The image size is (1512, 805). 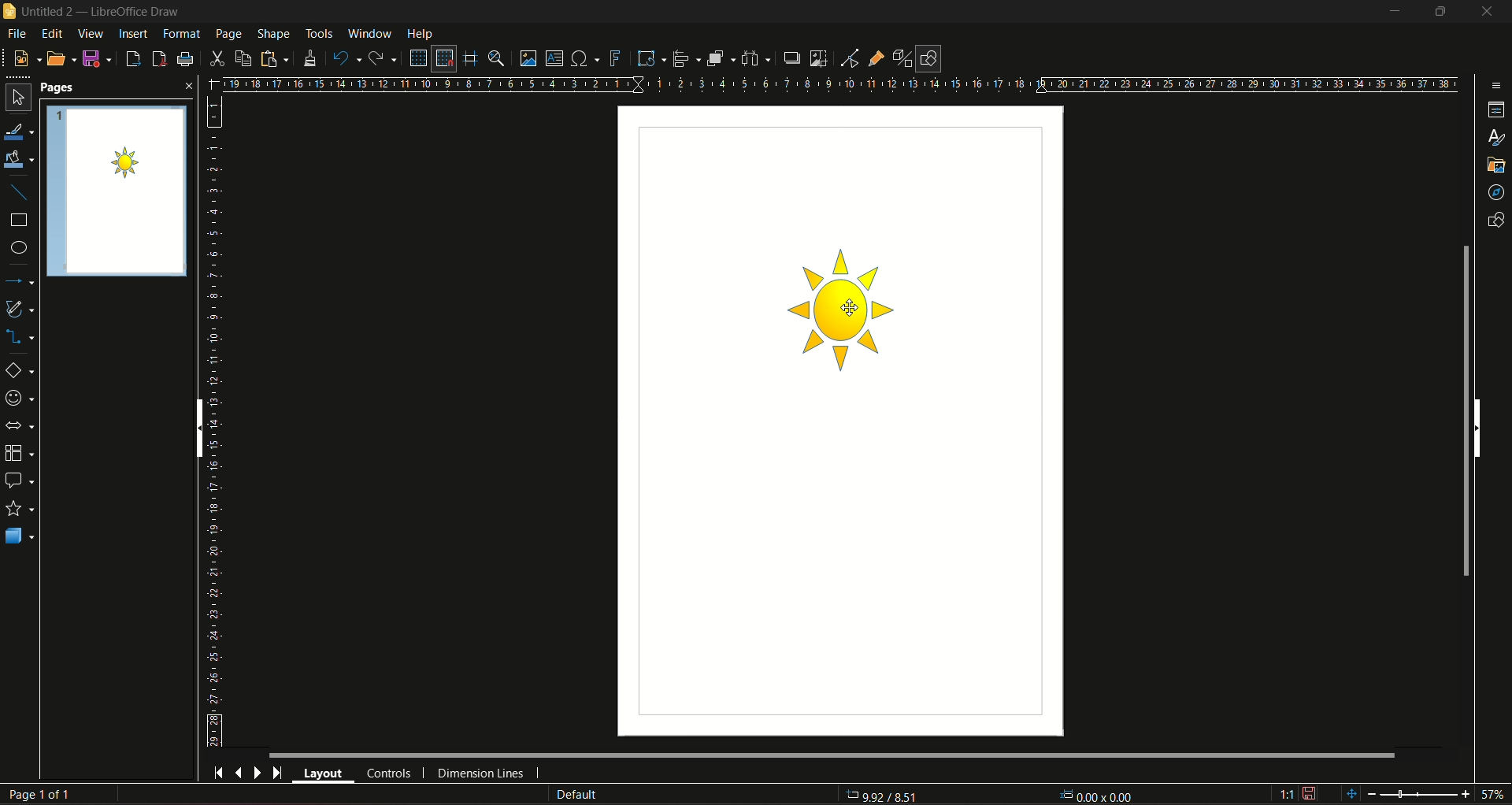 What do you see at coordinates (98, 59) in the screenshot?
I see `save` at bounding box center [98, 59].